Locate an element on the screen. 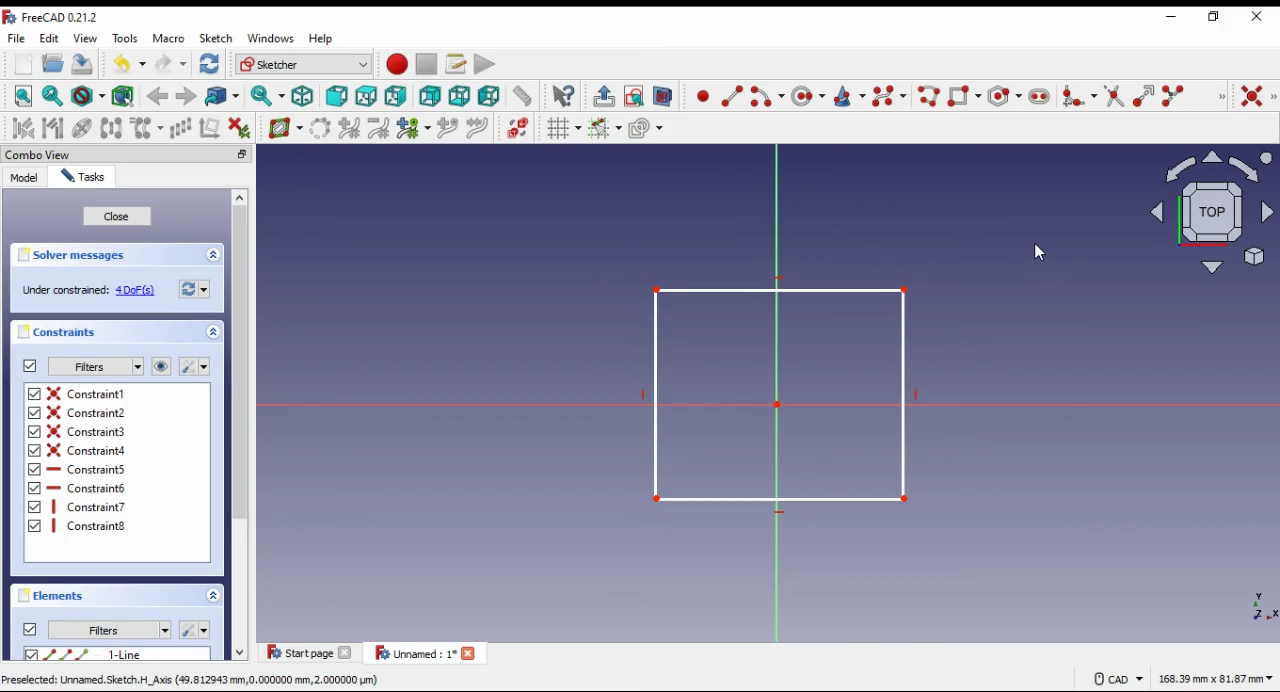  tools is located at coordinates (125, 38).